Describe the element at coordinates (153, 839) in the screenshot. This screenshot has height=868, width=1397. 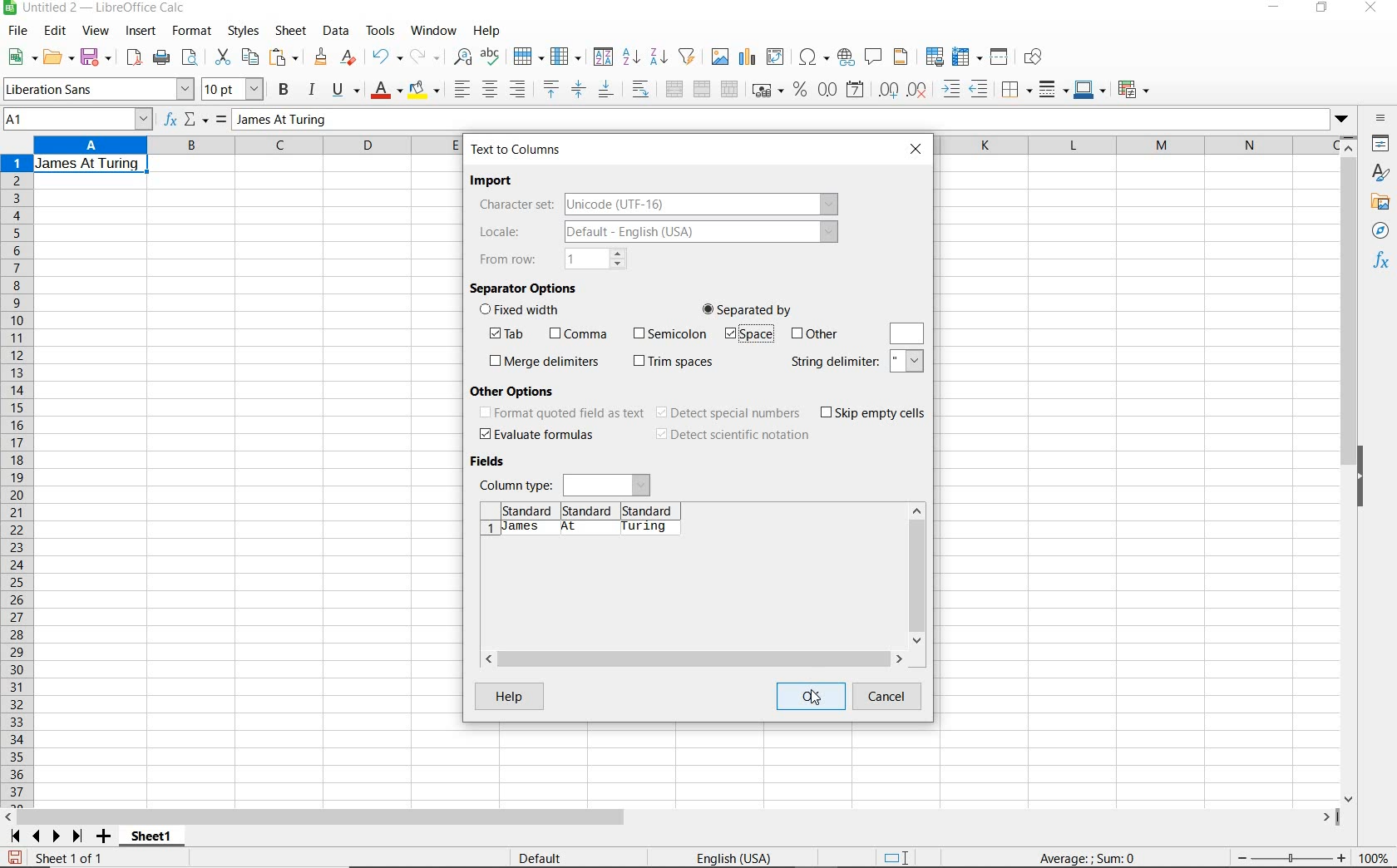
I see `sheet1` at that location.